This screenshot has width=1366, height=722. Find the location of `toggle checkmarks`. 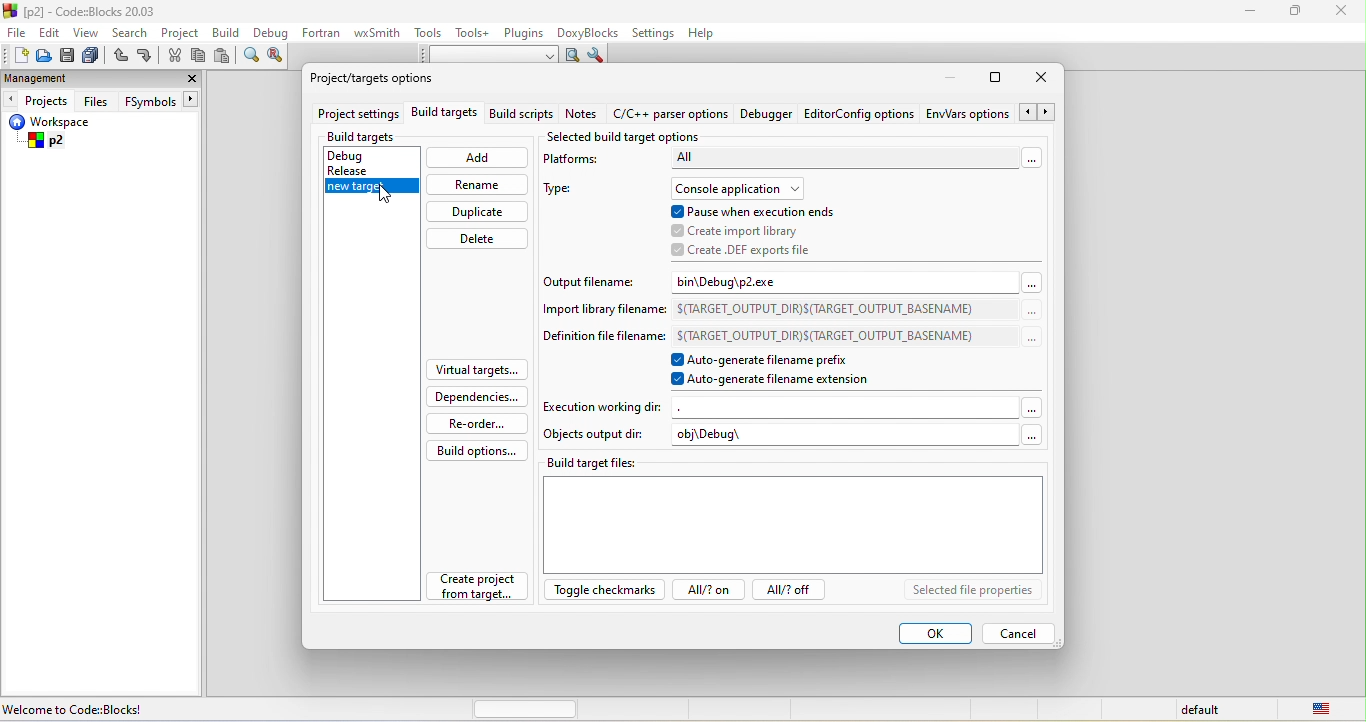

toggle checkmarks is located at coordinates (601, 593).